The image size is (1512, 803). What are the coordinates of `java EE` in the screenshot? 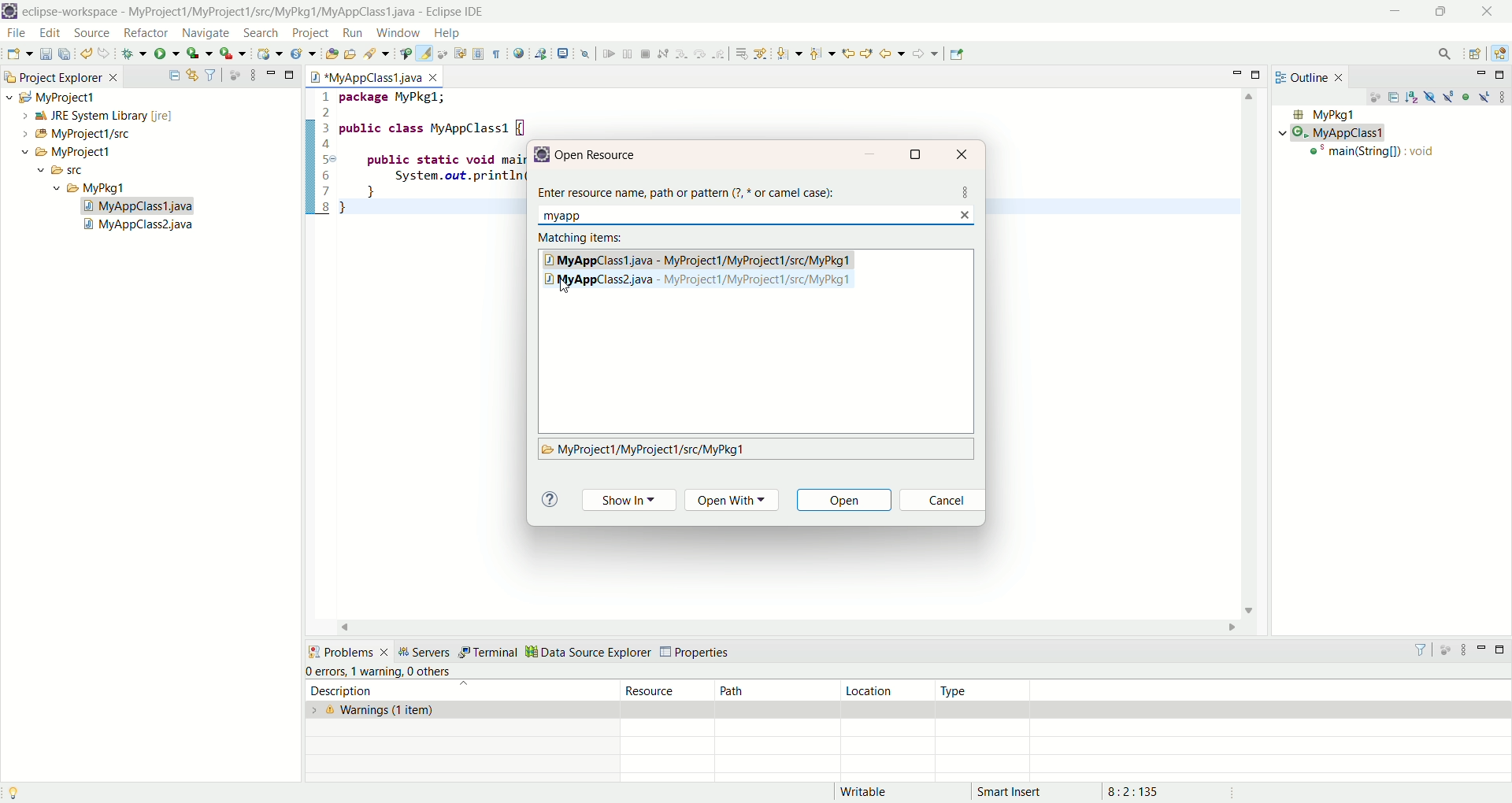 It's located at (1502, 52).